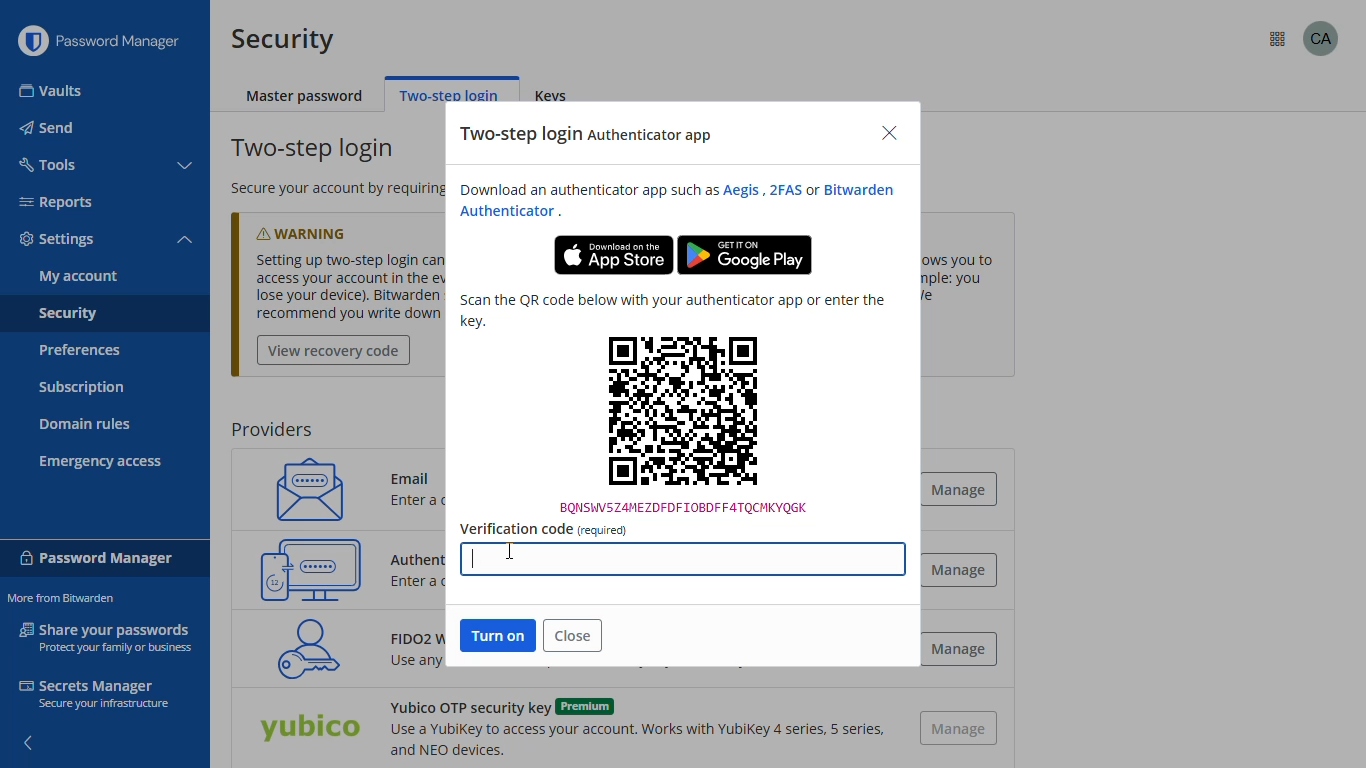  Describe the element at coordinates (93, 693) in the screenshot. I see `secrets manager` at that location.